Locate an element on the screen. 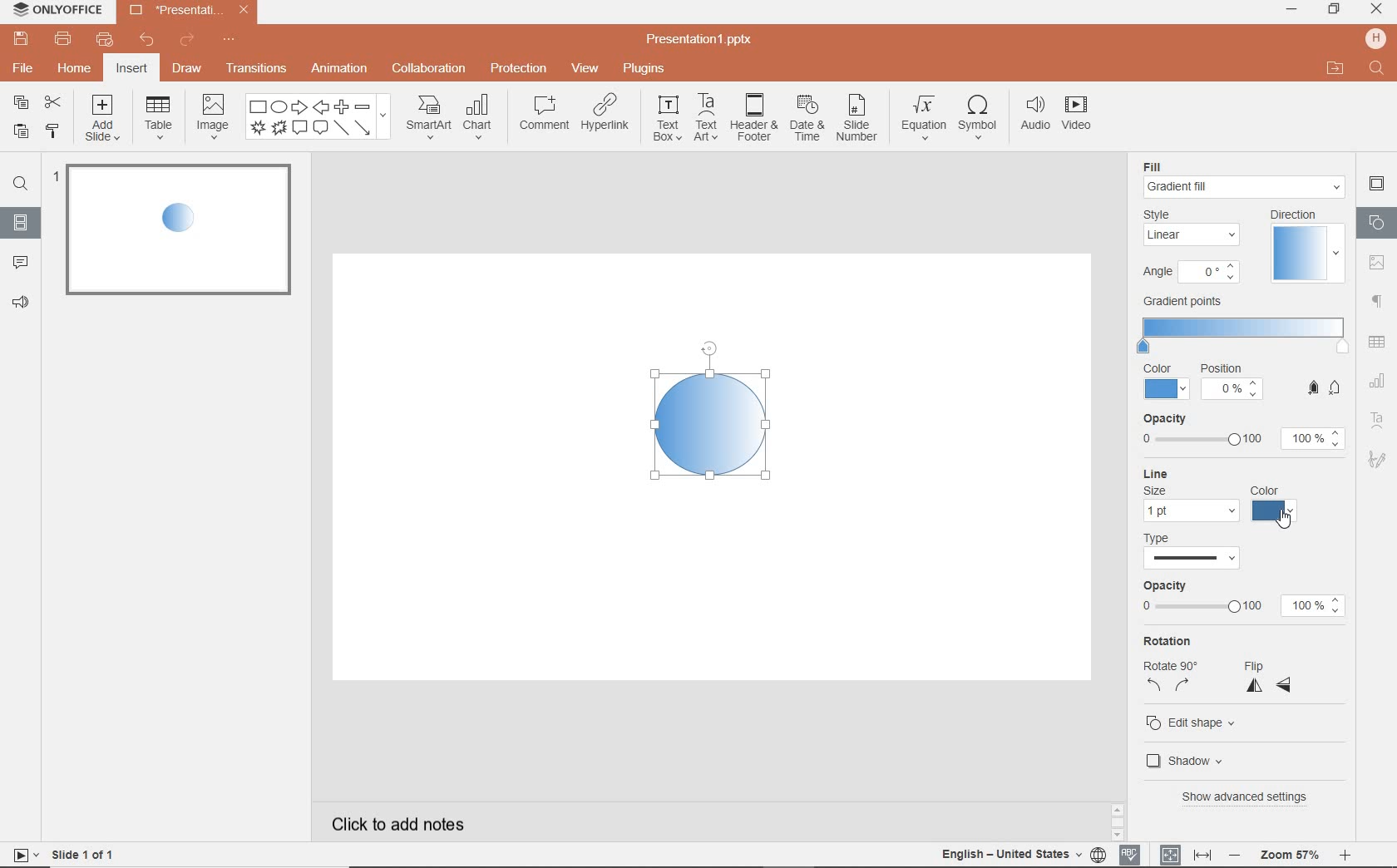 Image resolution: width=1397 pixels, height=868 pixels. add slide is located at coordinates (104, 119).